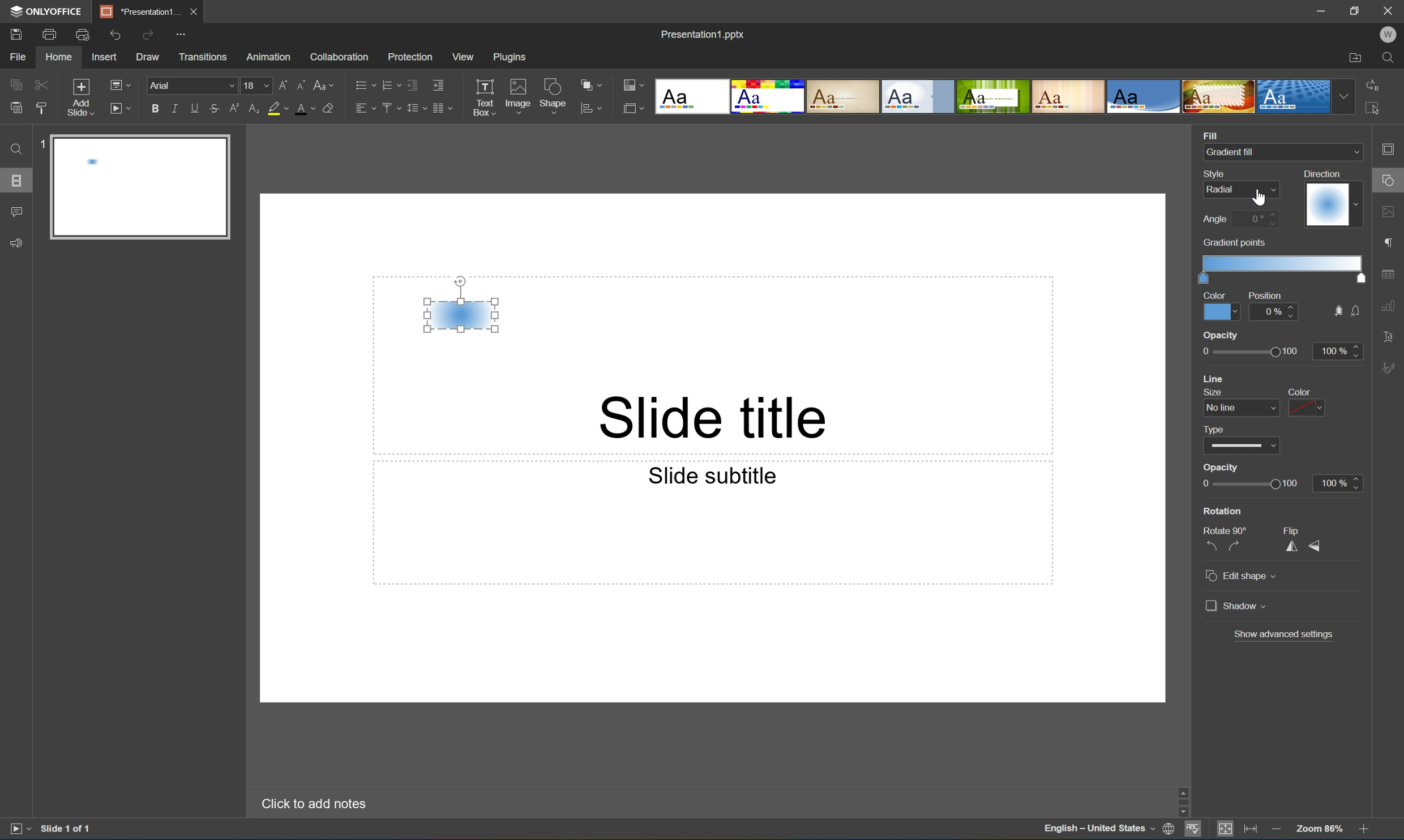  What do you see at coordinates (1392, 149) in the screenshot?
I see `Slide settings` at bounding box center [1392, 149].